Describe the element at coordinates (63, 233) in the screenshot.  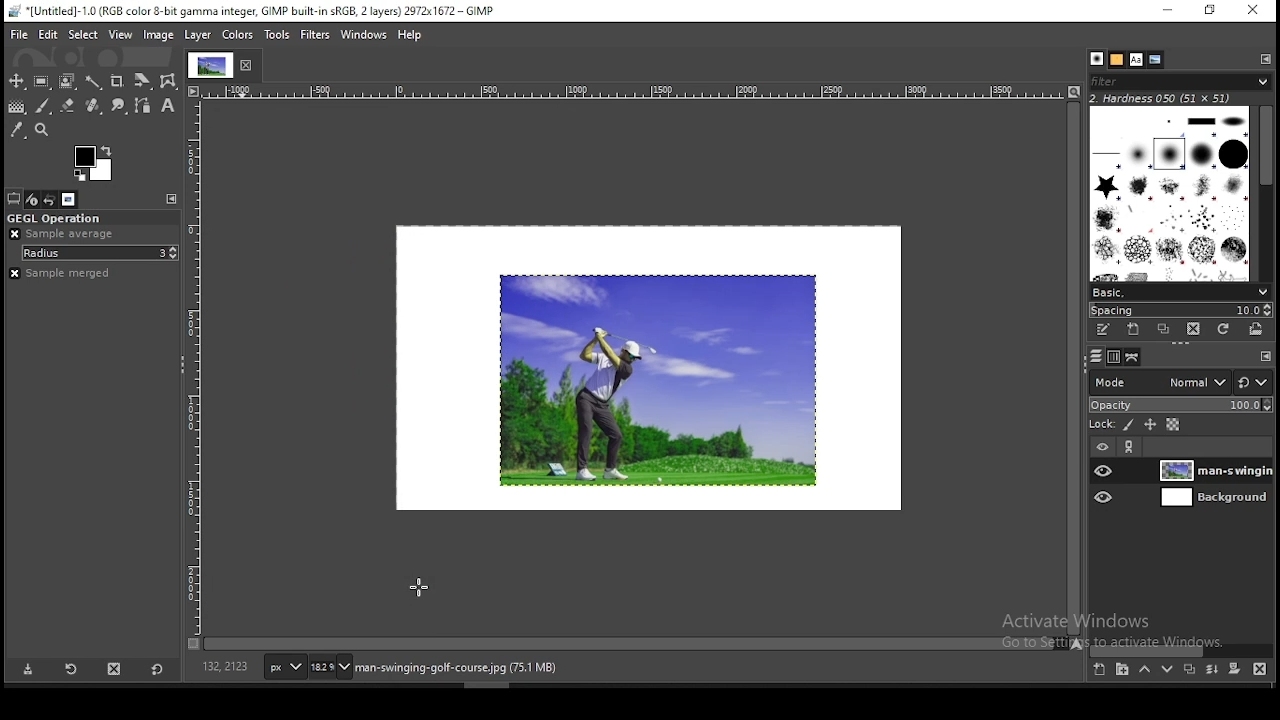
I see `ample average` at that location.